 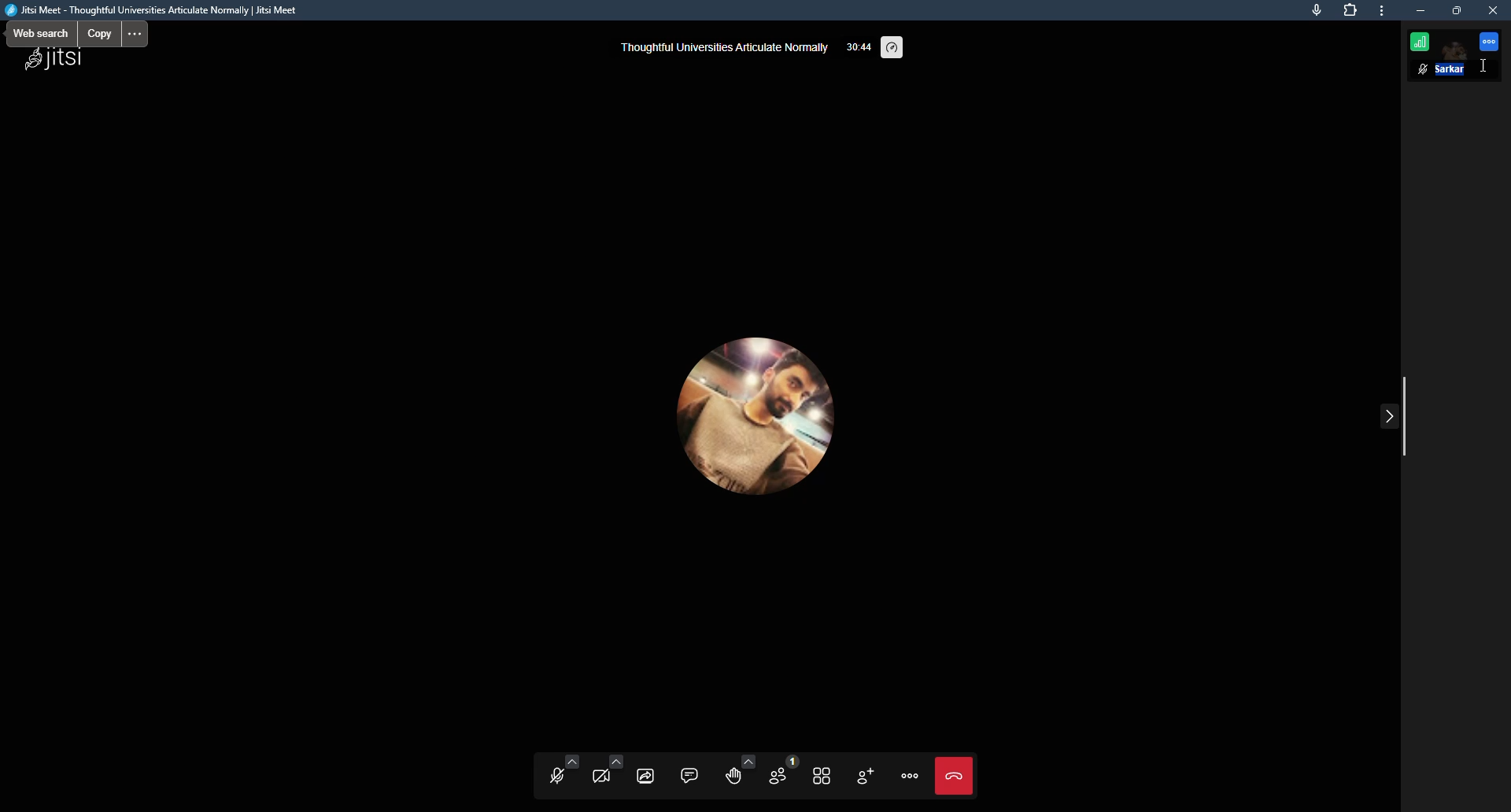 I want to click on minimize, so click(x=1420, y=11).